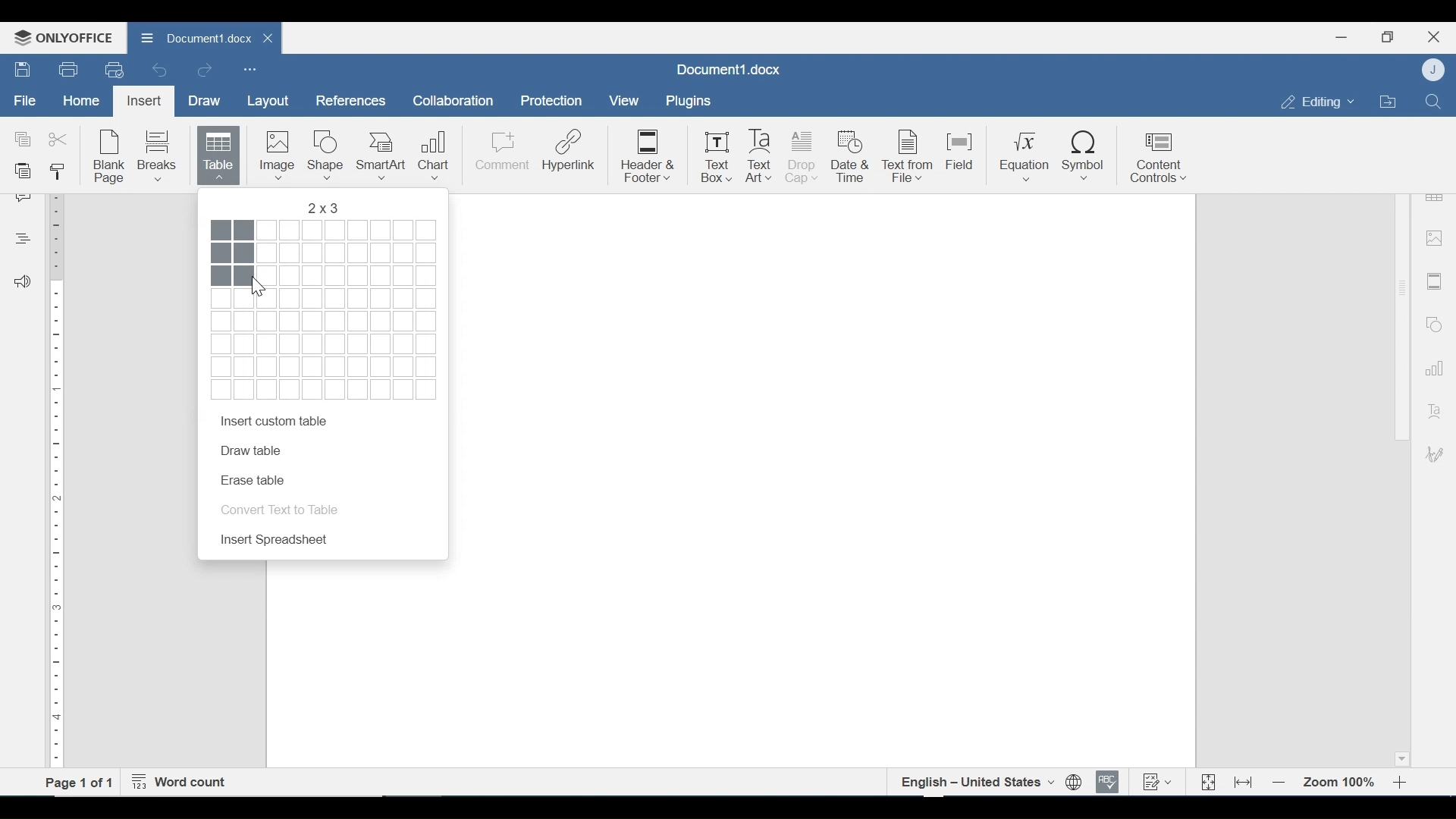 This screenshot has height=819, width=1456. I want to click on Cut, so click(60, 140).